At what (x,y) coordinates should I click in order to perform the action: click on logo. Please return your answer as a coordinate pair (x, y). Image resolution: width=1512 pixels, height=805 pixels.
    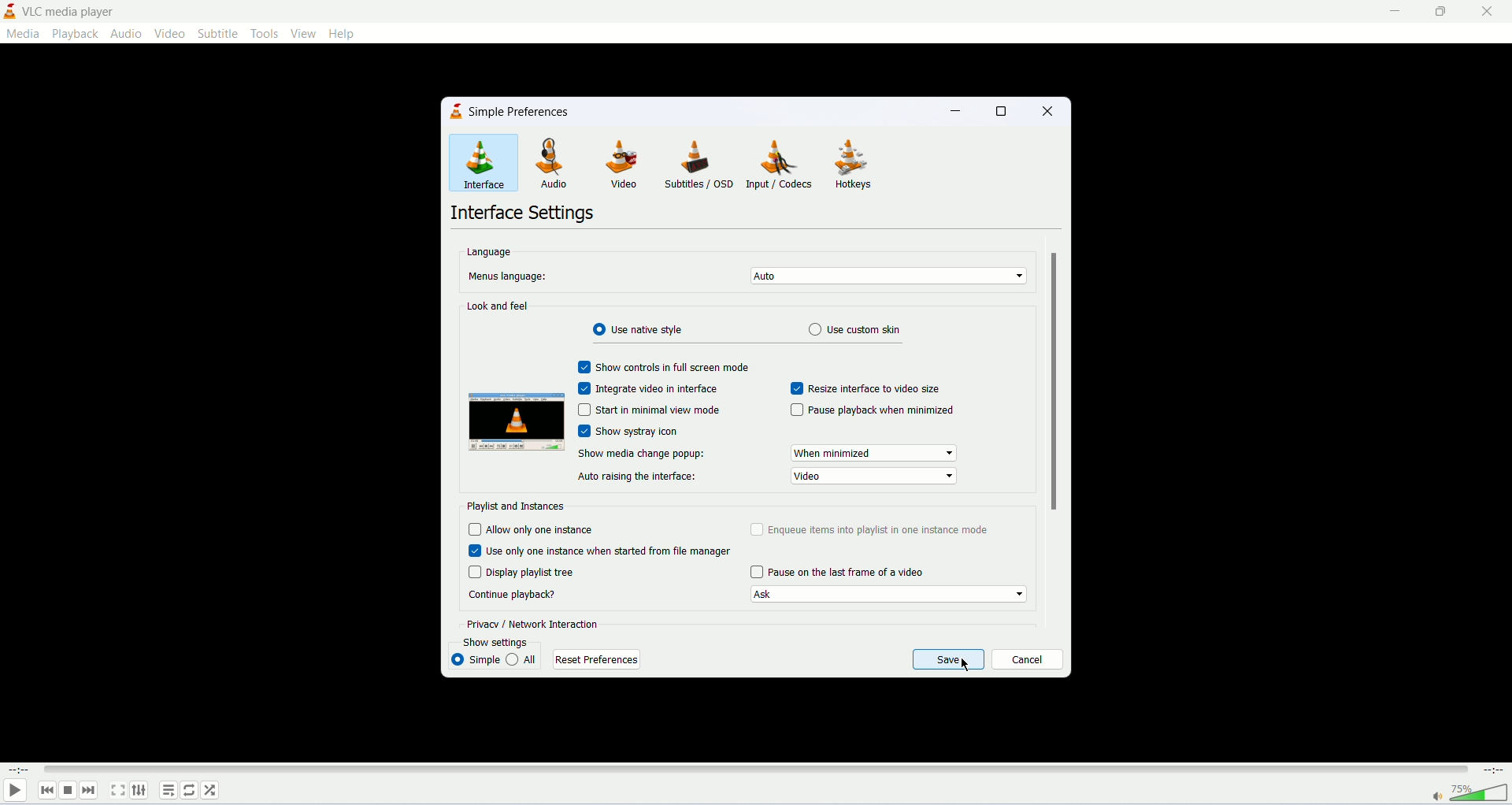
    Looking at the image, I should click on (9, 10).